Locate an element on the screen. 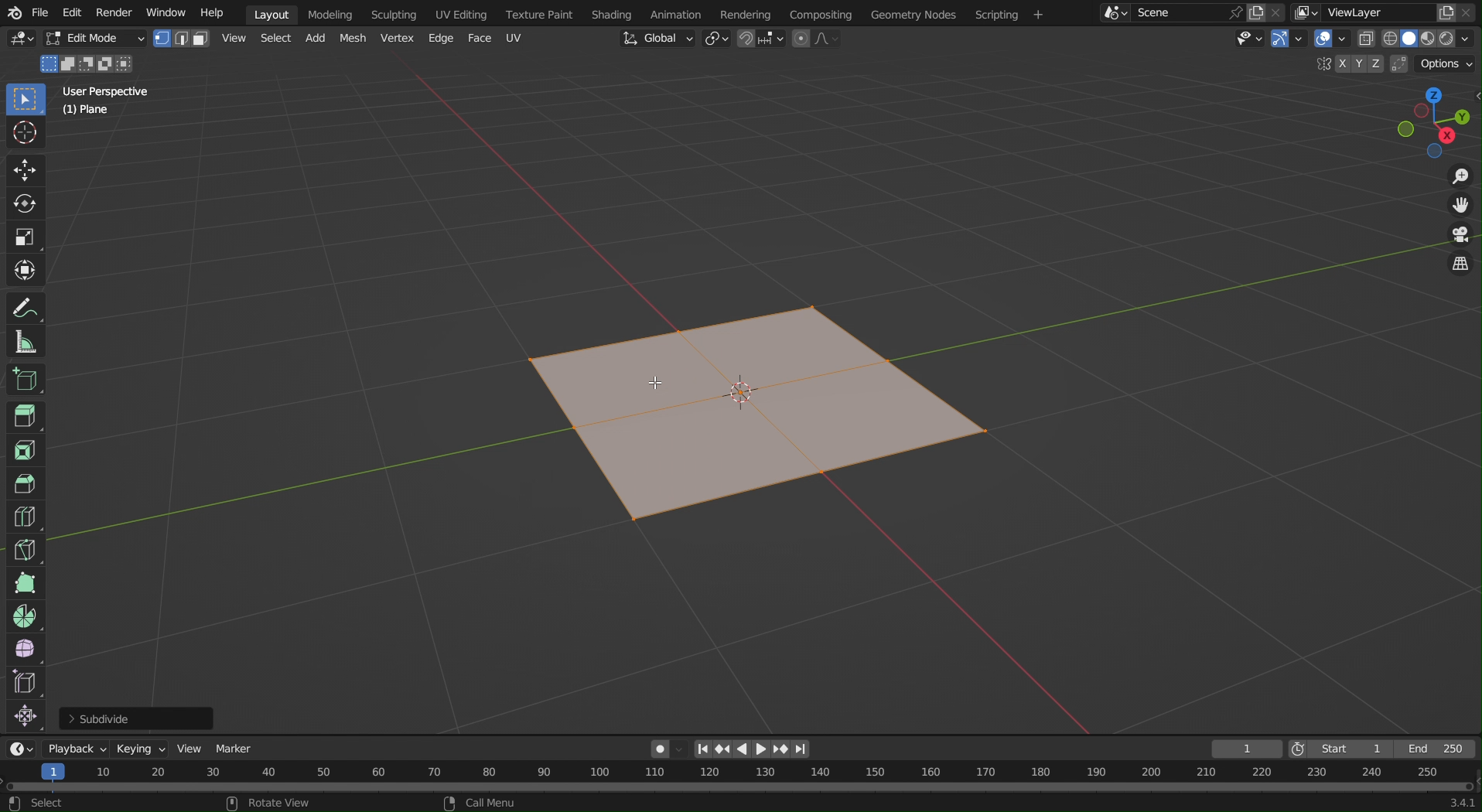 This screenshot has height=812, width=1482. Plane is located at coordinates (87, 112).